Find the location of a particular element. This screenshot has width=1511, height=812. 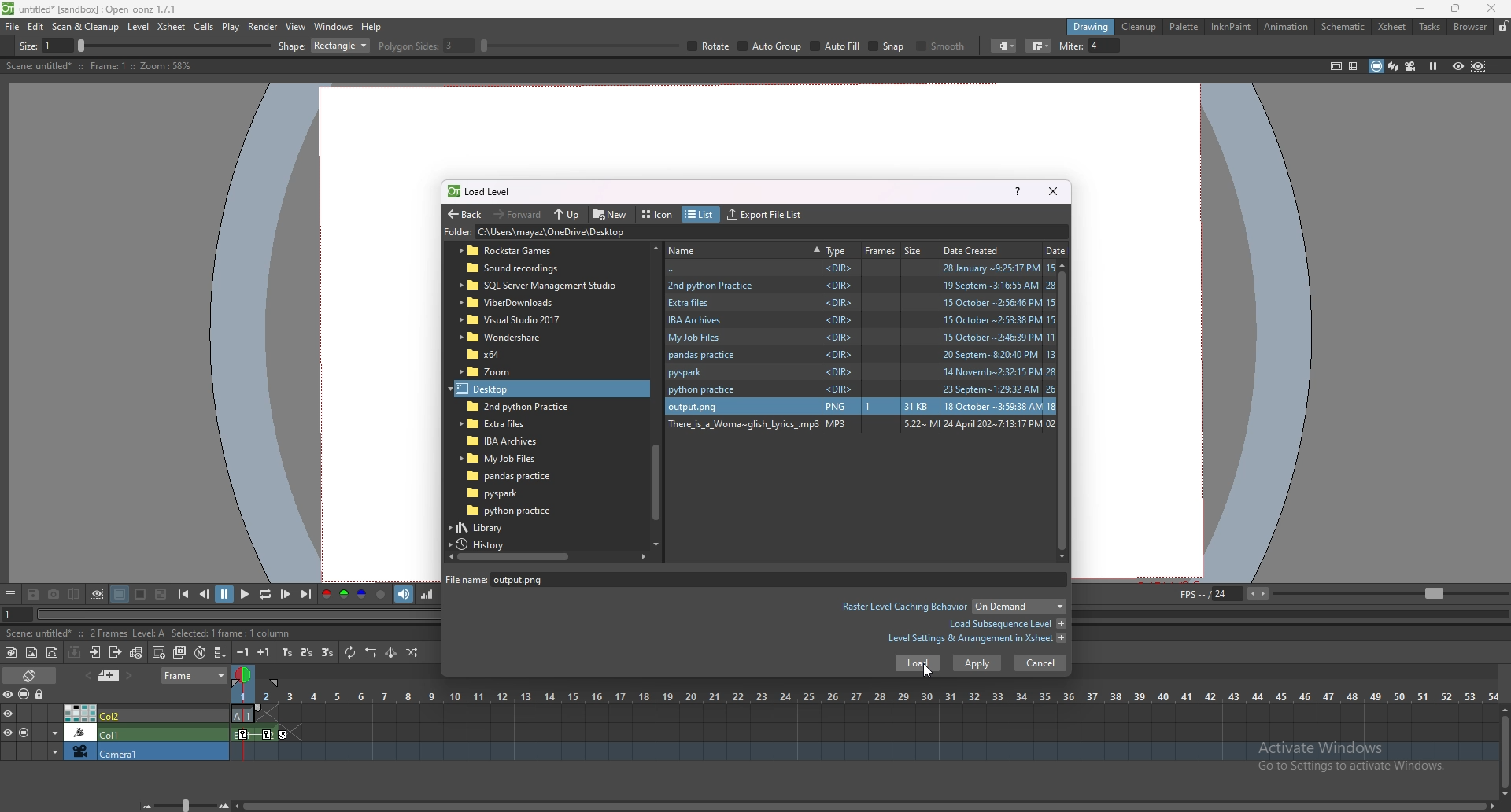

smooth is located at coordinates (1217, 47).